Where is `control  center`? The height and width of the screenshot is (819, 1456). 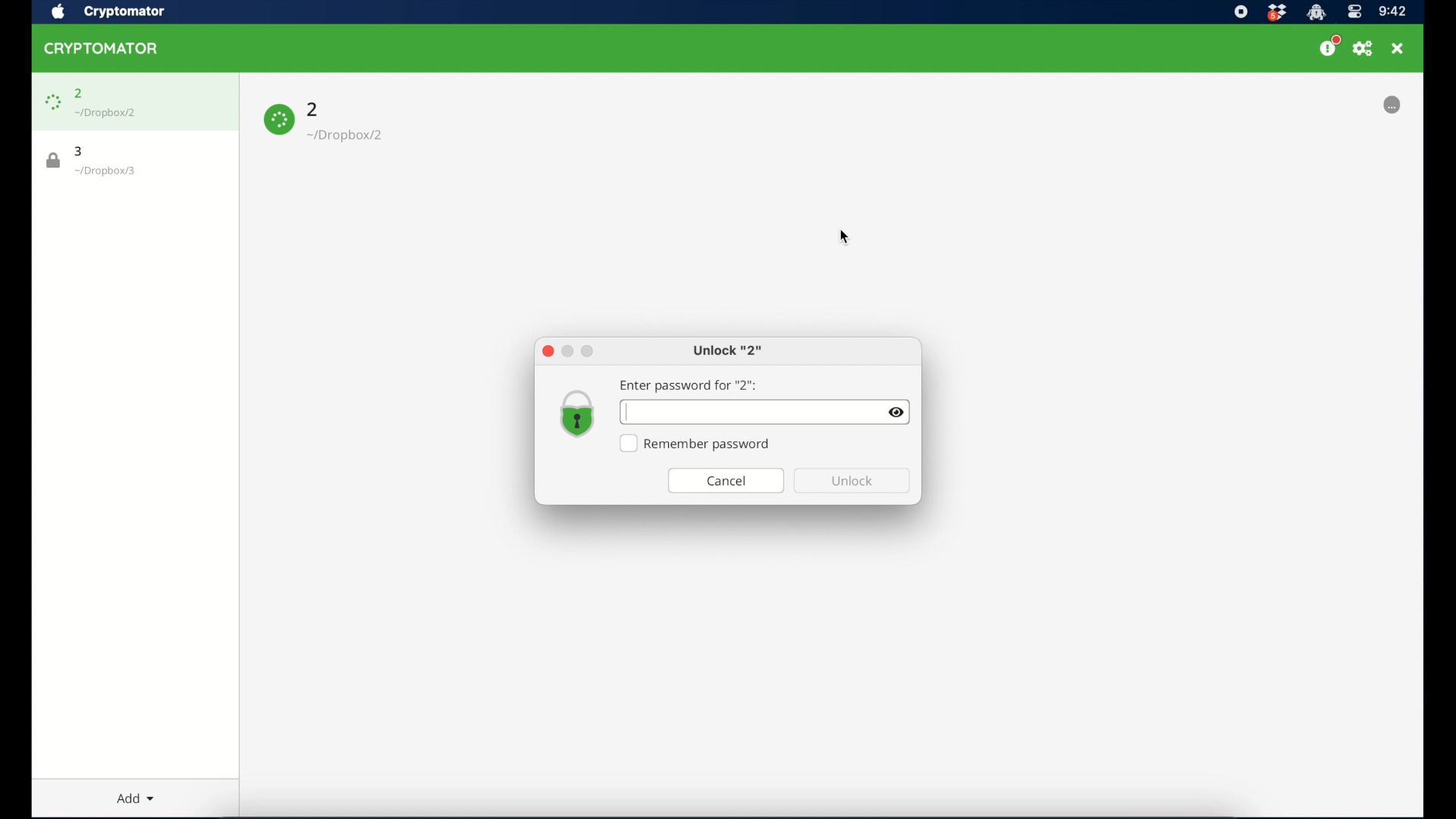
control  center is located at coordinates (1354, 12).